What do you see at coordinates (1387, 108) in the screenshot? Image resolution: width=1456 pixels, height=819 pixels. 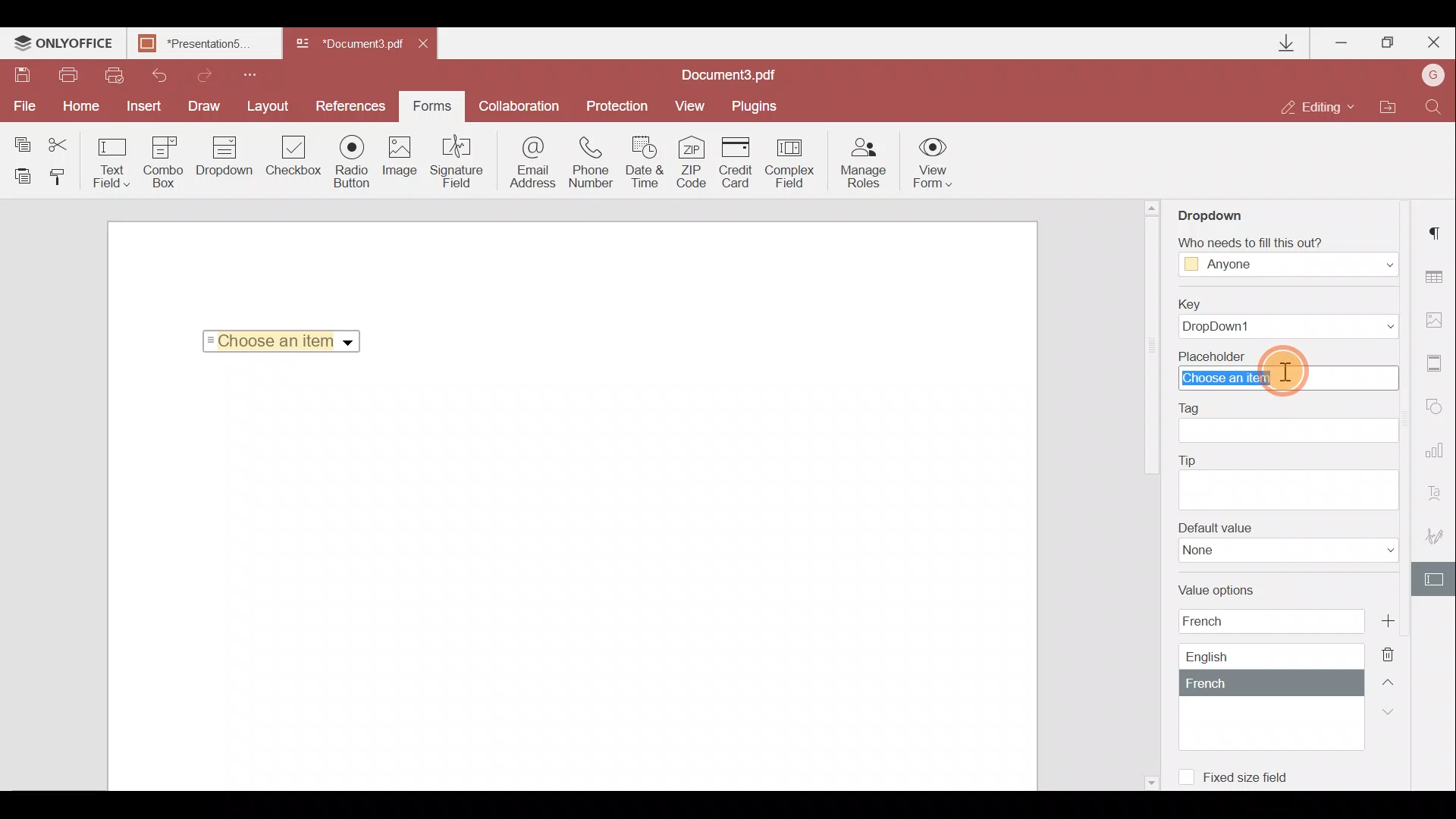 I see `Open file location` at bounding box center [1387, 108].